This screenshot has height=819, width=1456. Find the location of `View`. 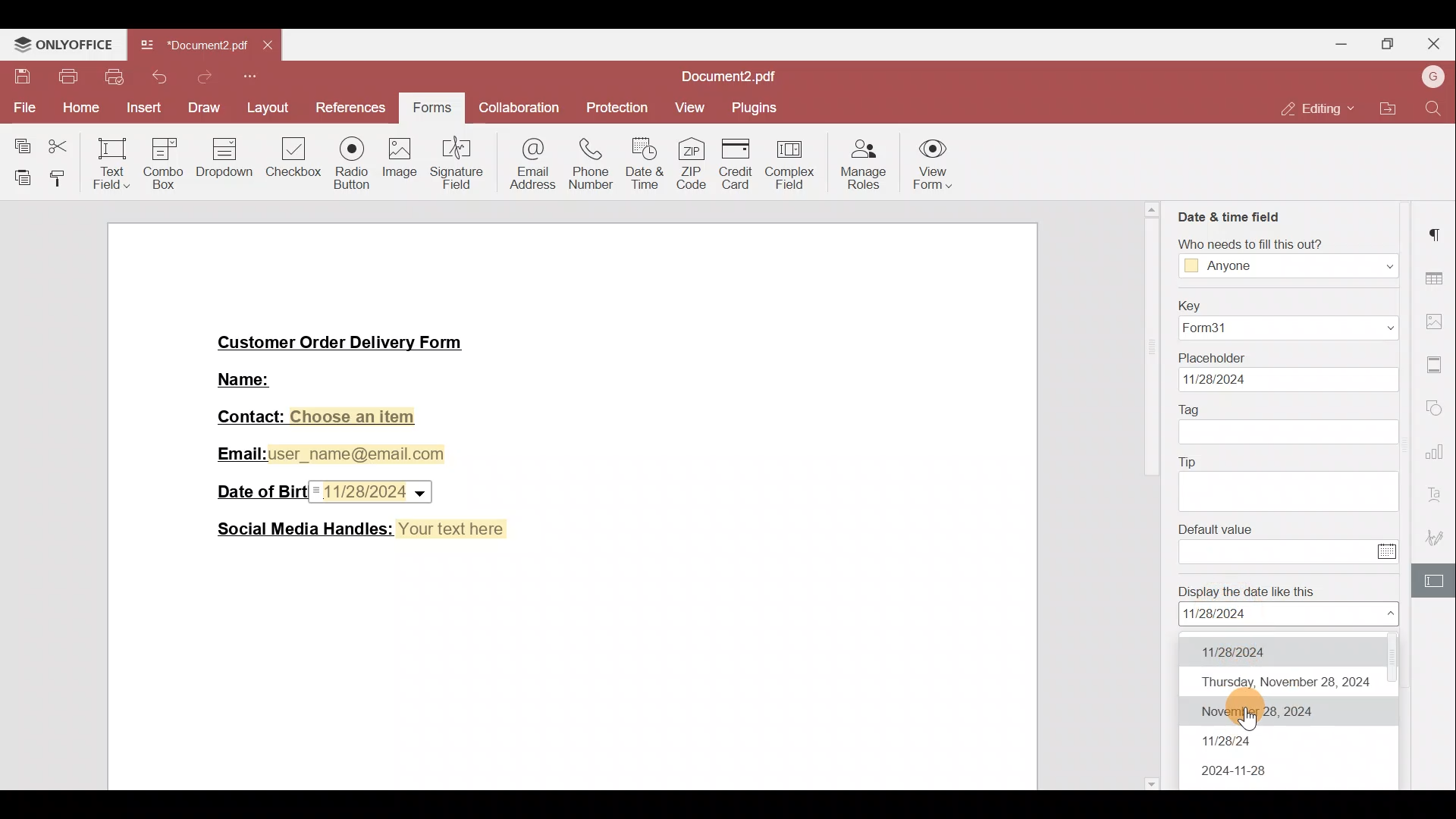

View is located at coordinates (695, 105).